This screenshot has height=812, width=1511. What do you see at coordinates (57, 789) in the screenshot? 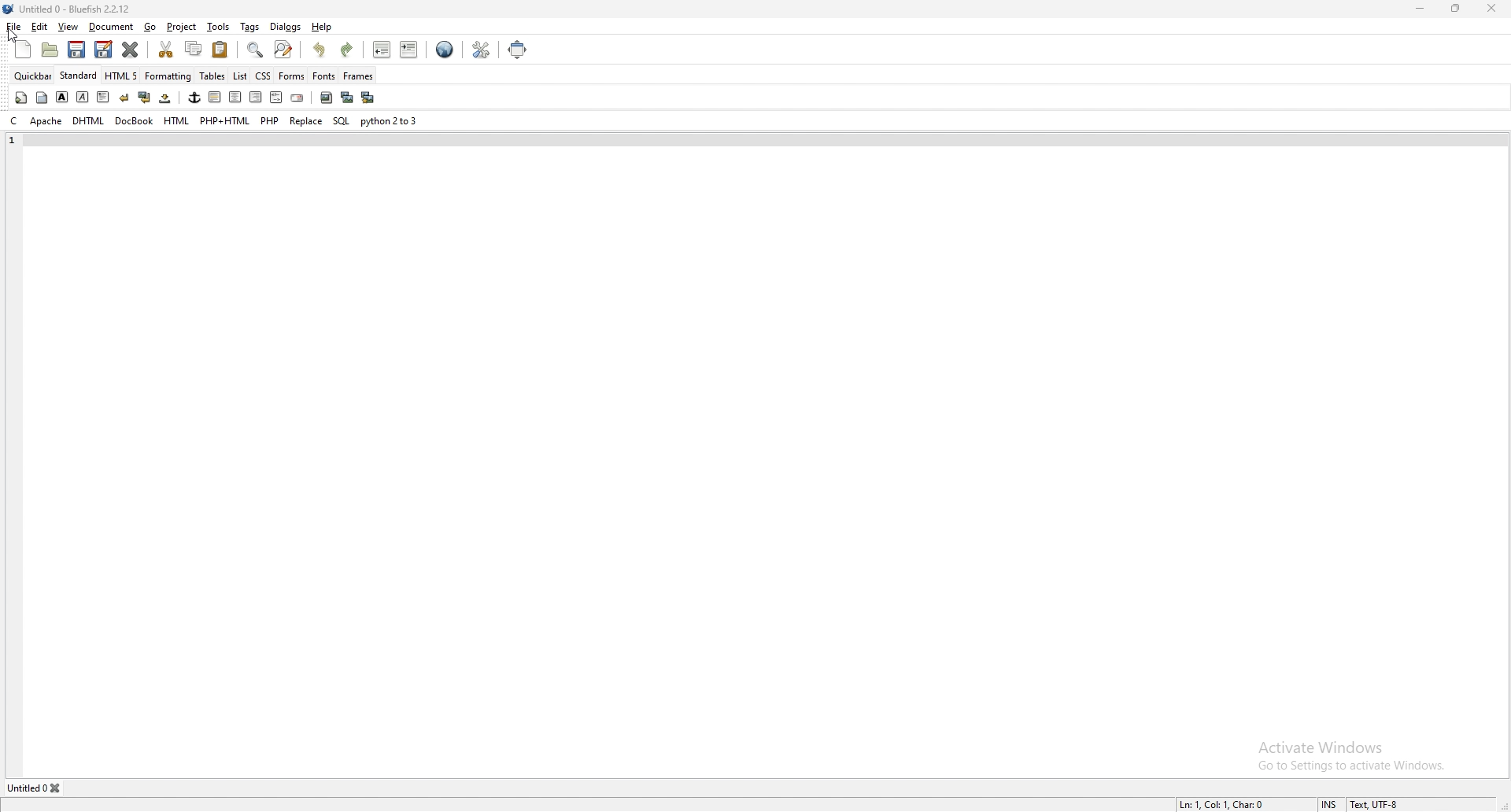
I see `close tab` at bounding box center [57, 789].